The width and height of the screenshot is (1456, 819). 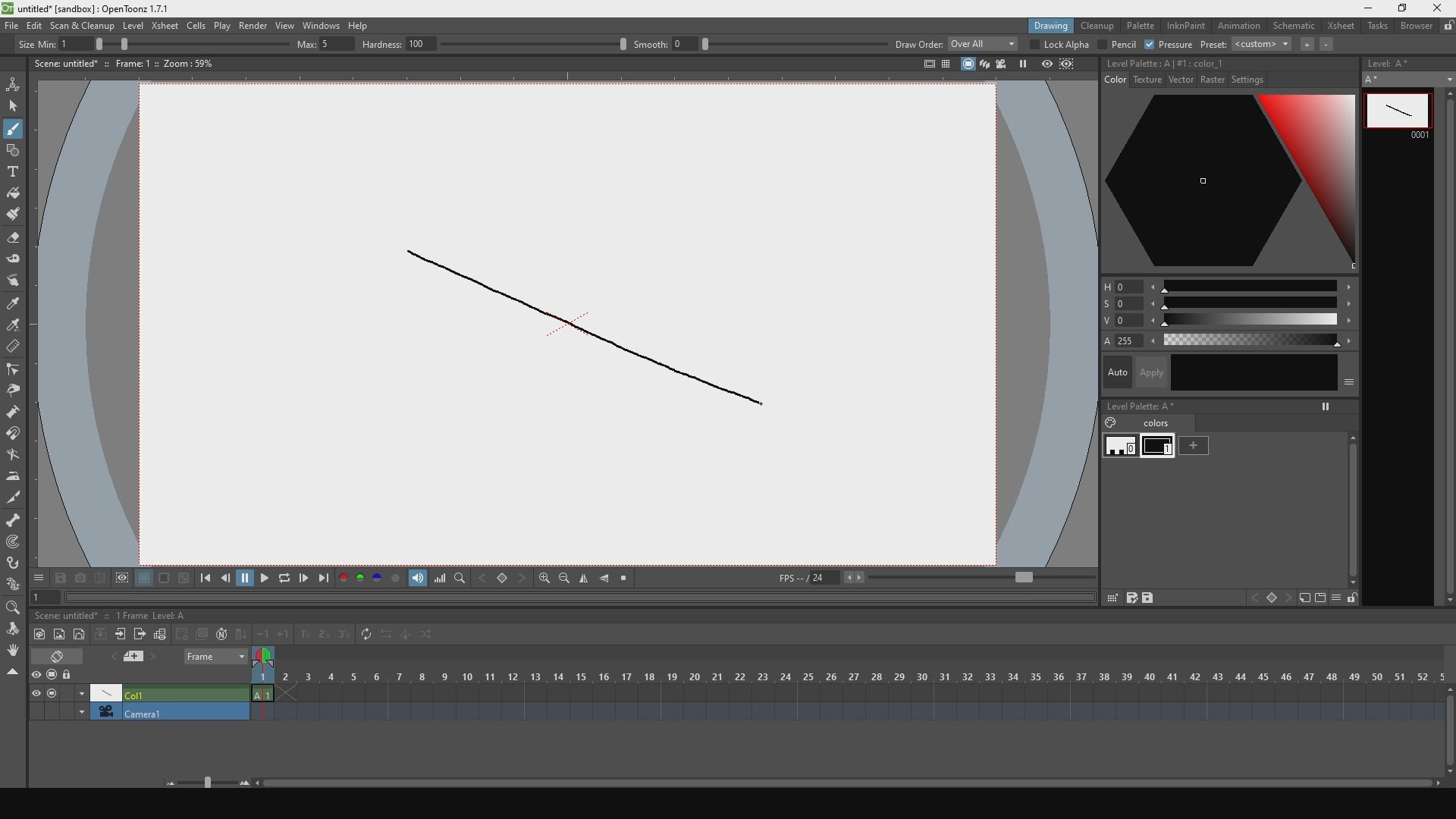 I want to click on view, so click(x=282, y=24).